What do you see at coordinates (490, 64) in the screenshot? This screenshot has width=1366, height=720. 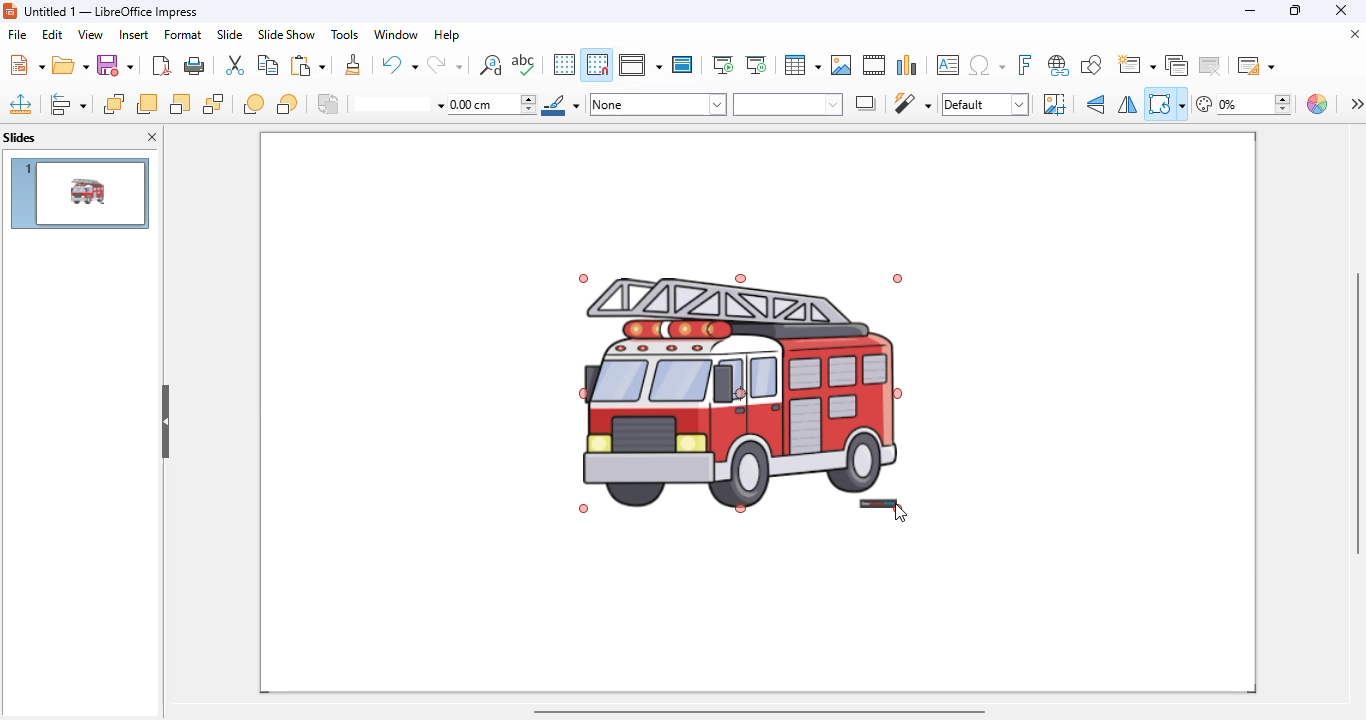 I see `find and replace` at bounding box center [490, 64].